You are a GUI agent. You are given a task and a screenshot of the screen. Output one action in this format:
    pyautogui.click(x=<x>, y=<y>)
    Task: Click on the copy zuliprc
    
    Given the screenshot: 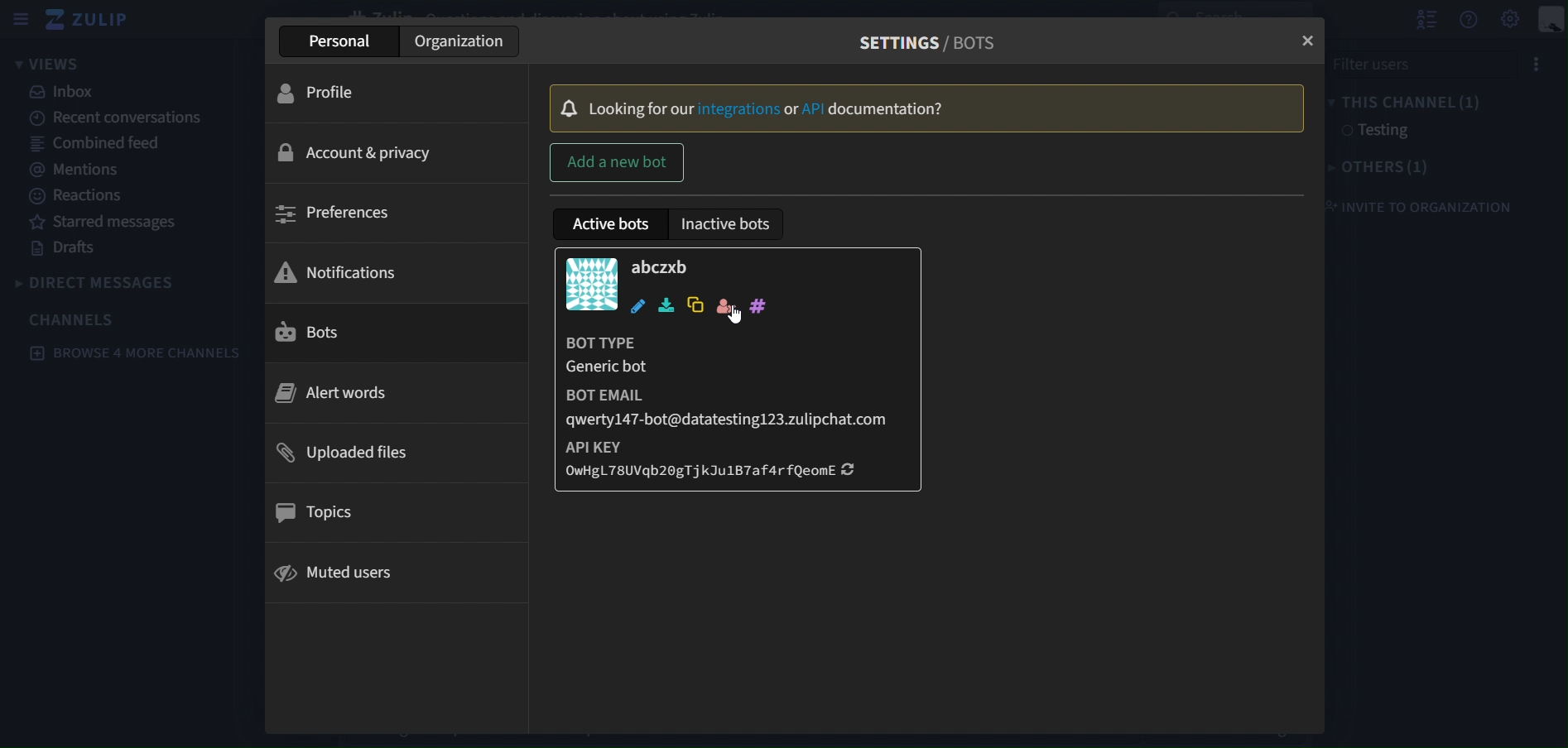 What is the action you would take?
    pyautogui.click(x=694, y=305)
    